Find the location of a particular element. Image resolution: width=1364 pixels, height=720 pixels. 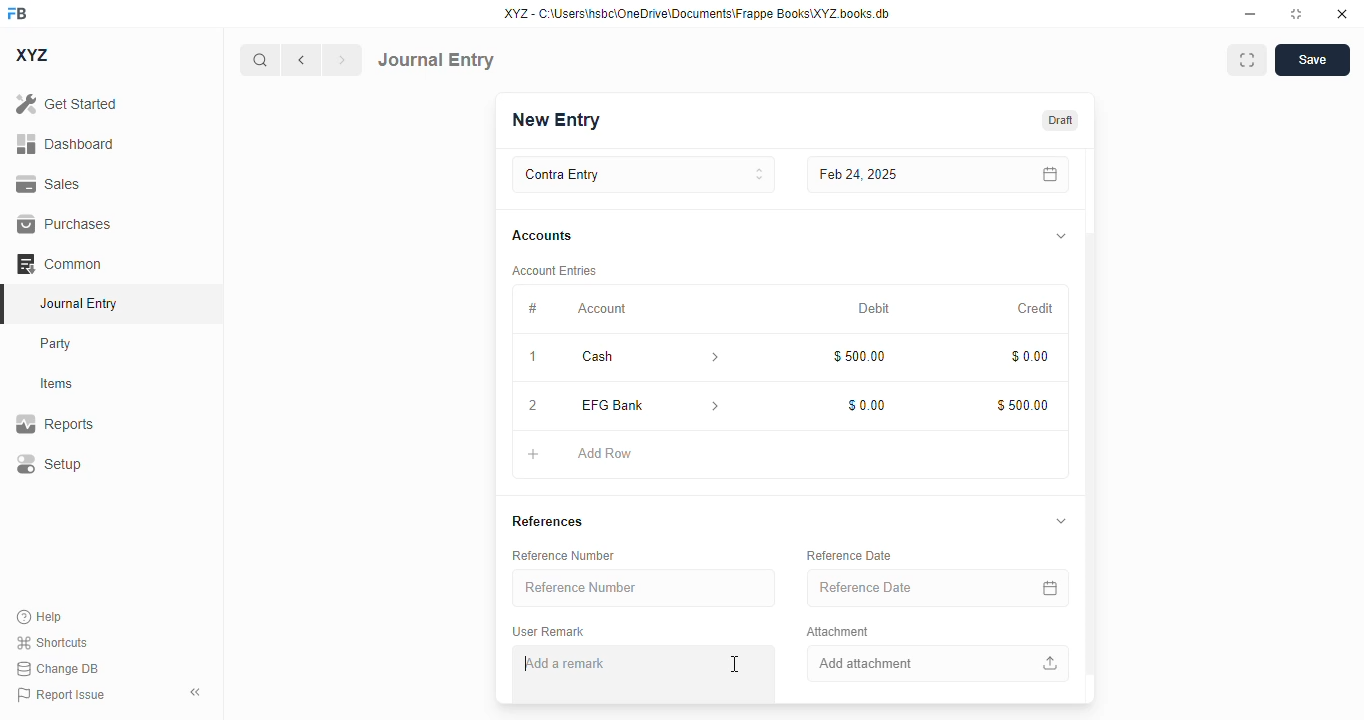

account information is located at coordinates (709, 357).